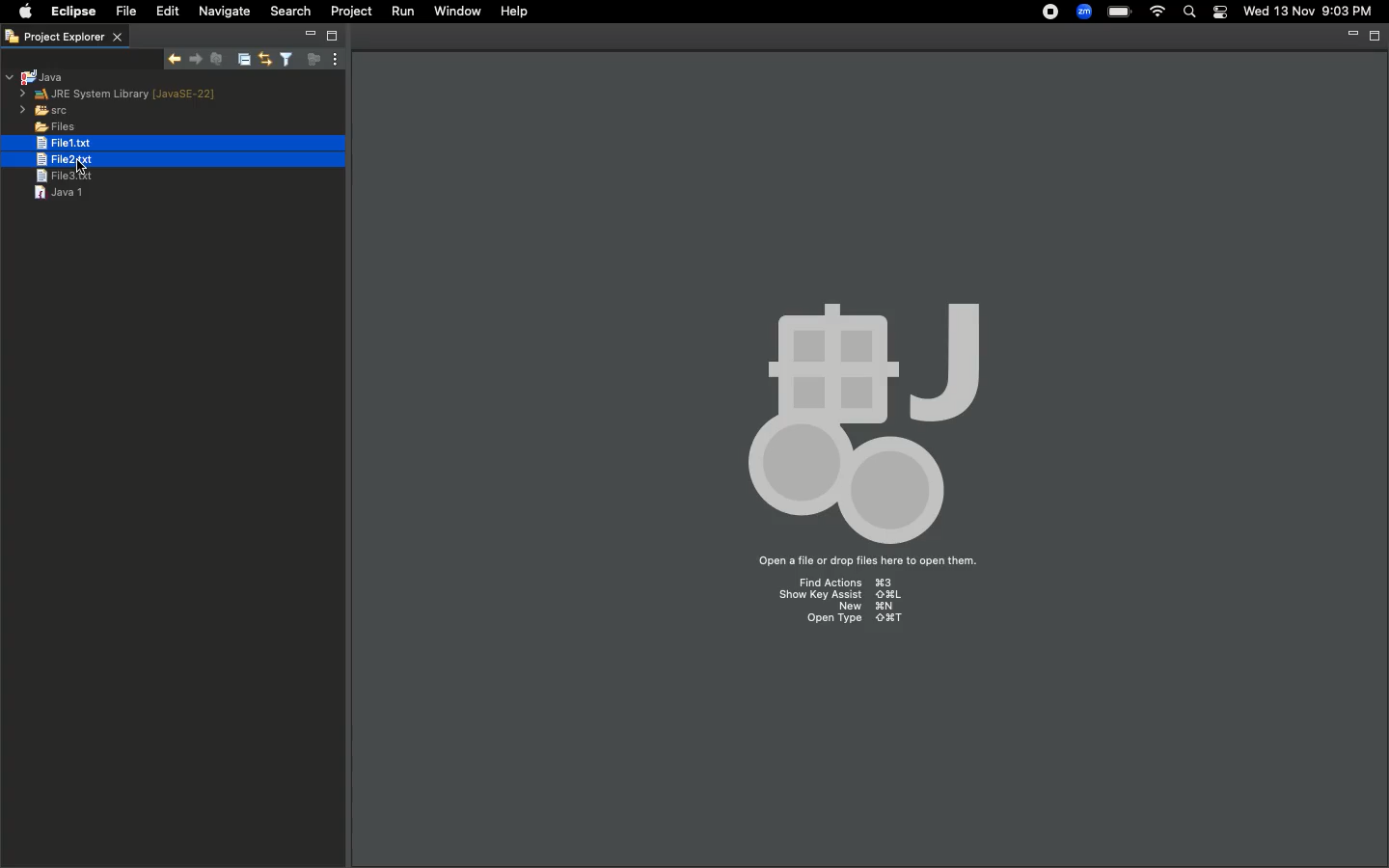  What do you see at coordinates (1222, 12) in the screenshot?
I see `Notification` at bounding box center [1222, 12].